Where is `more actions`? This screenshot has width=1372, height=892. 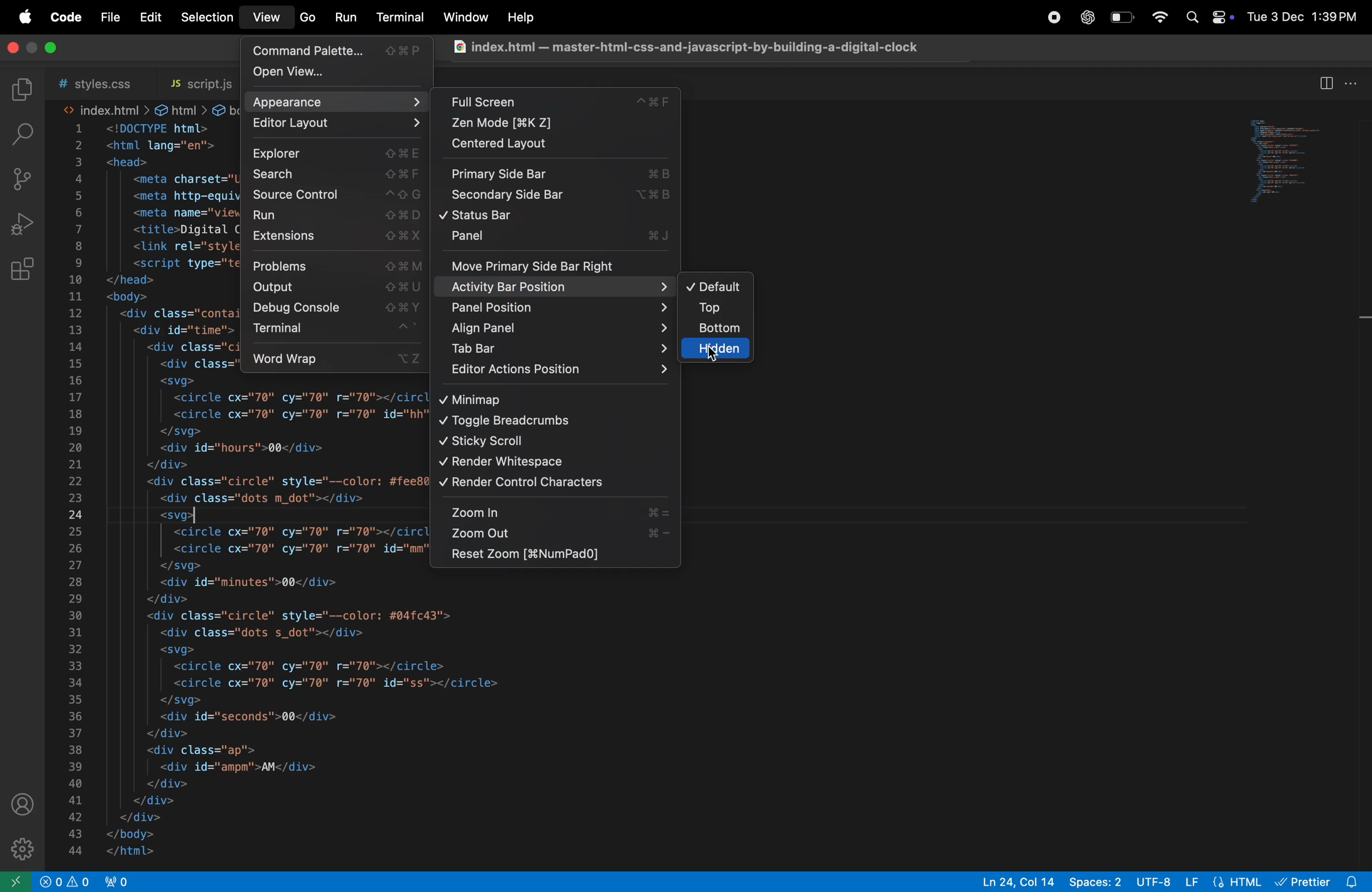
more actions is located at coordinates (1353, 84).